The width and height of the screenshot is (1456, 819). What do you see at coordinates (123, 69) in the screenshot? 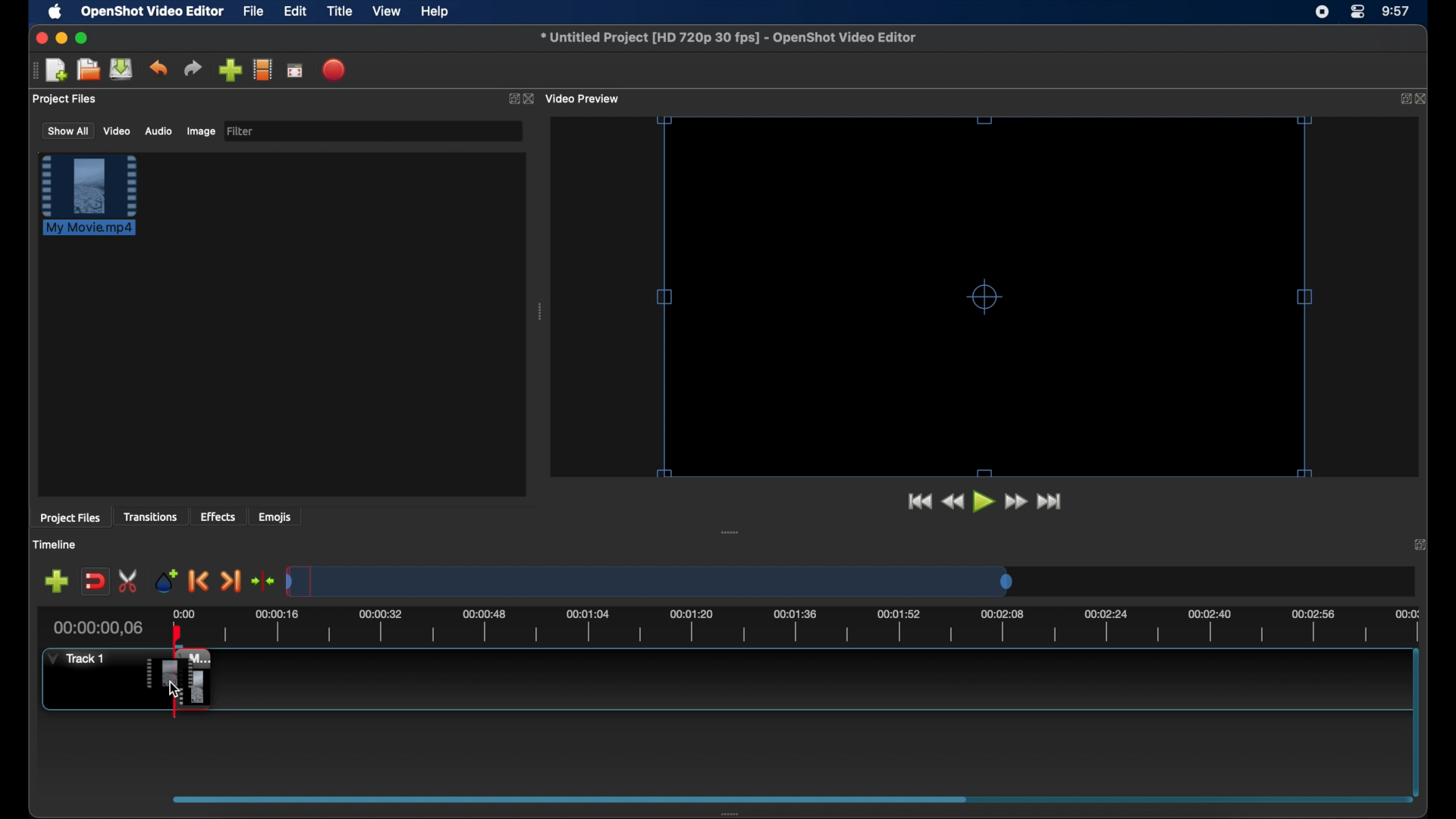
I see `save files` at bounding box center [123, 69].